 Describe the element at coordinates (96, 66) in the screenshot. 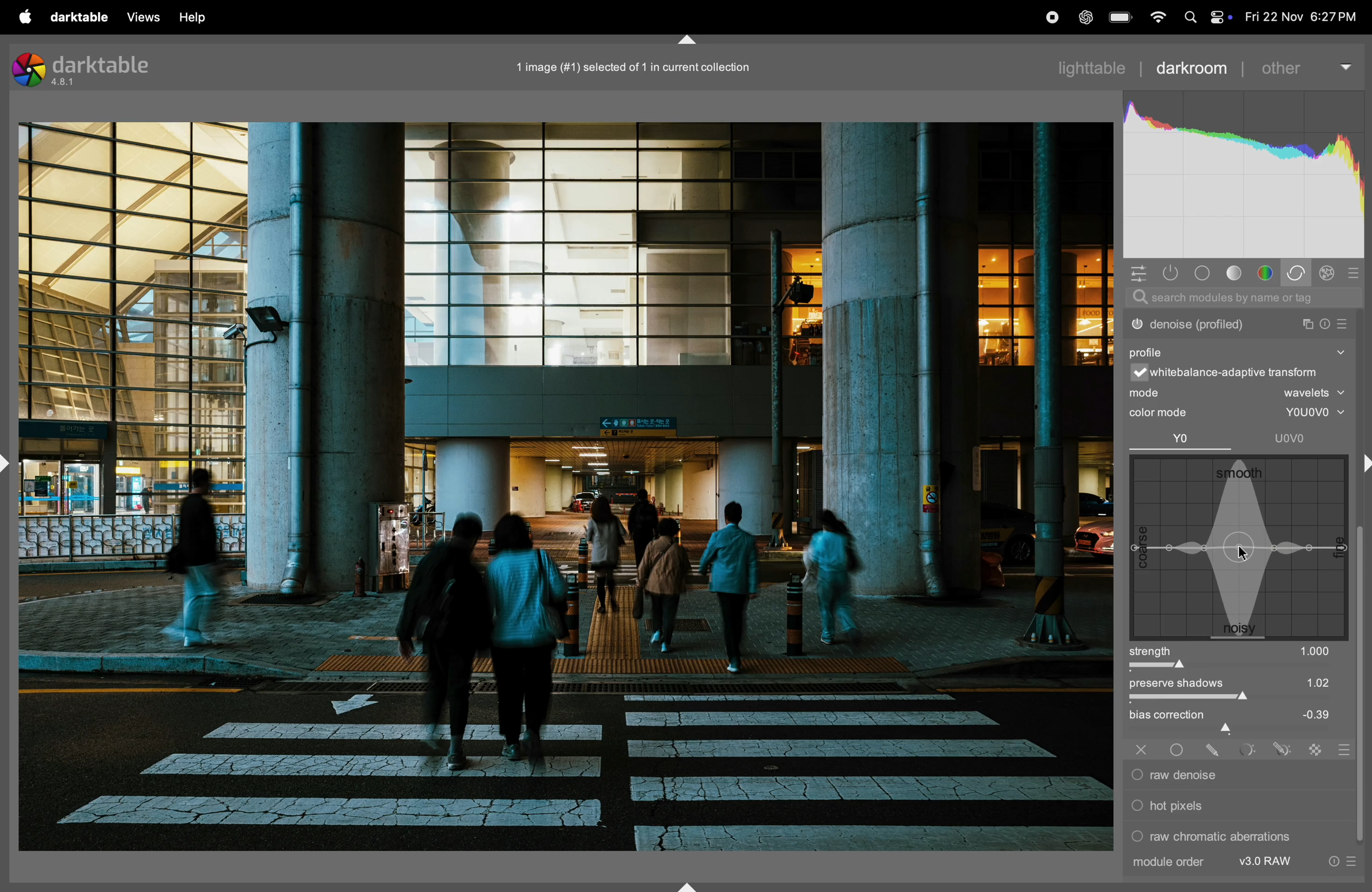

I see `darktable version` at that location.